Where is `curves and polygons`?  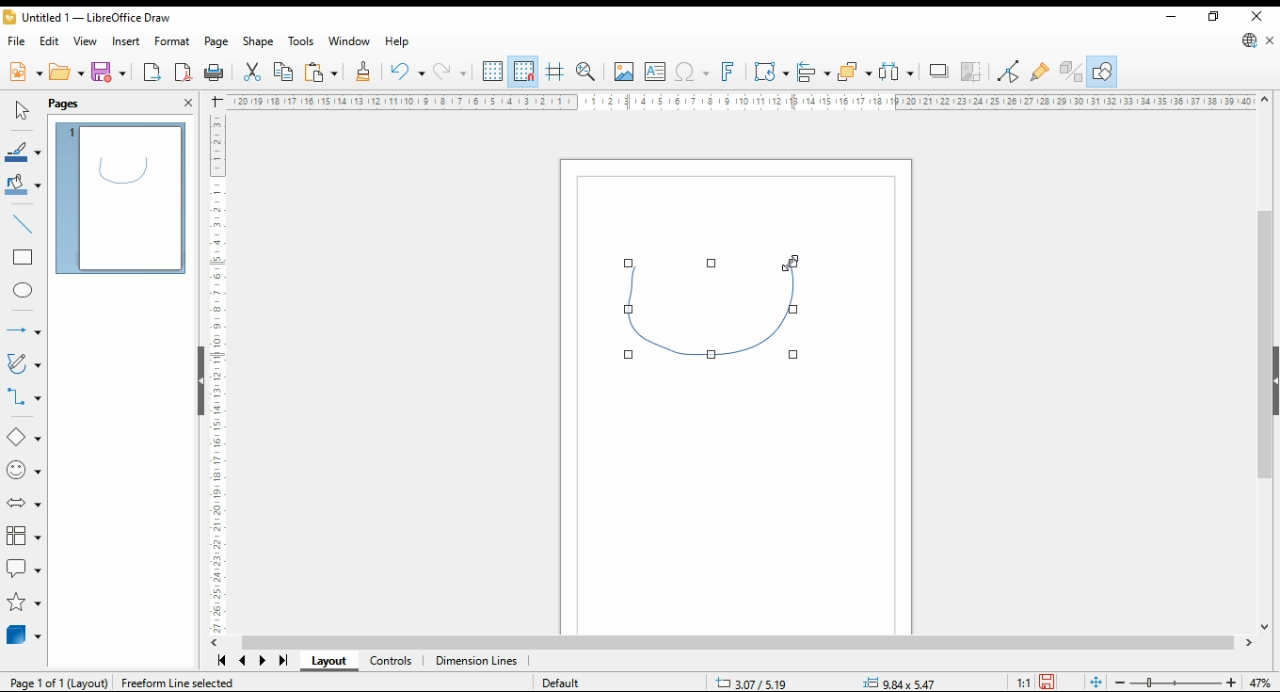
curves and polygons is located at coordinates (22, 364).